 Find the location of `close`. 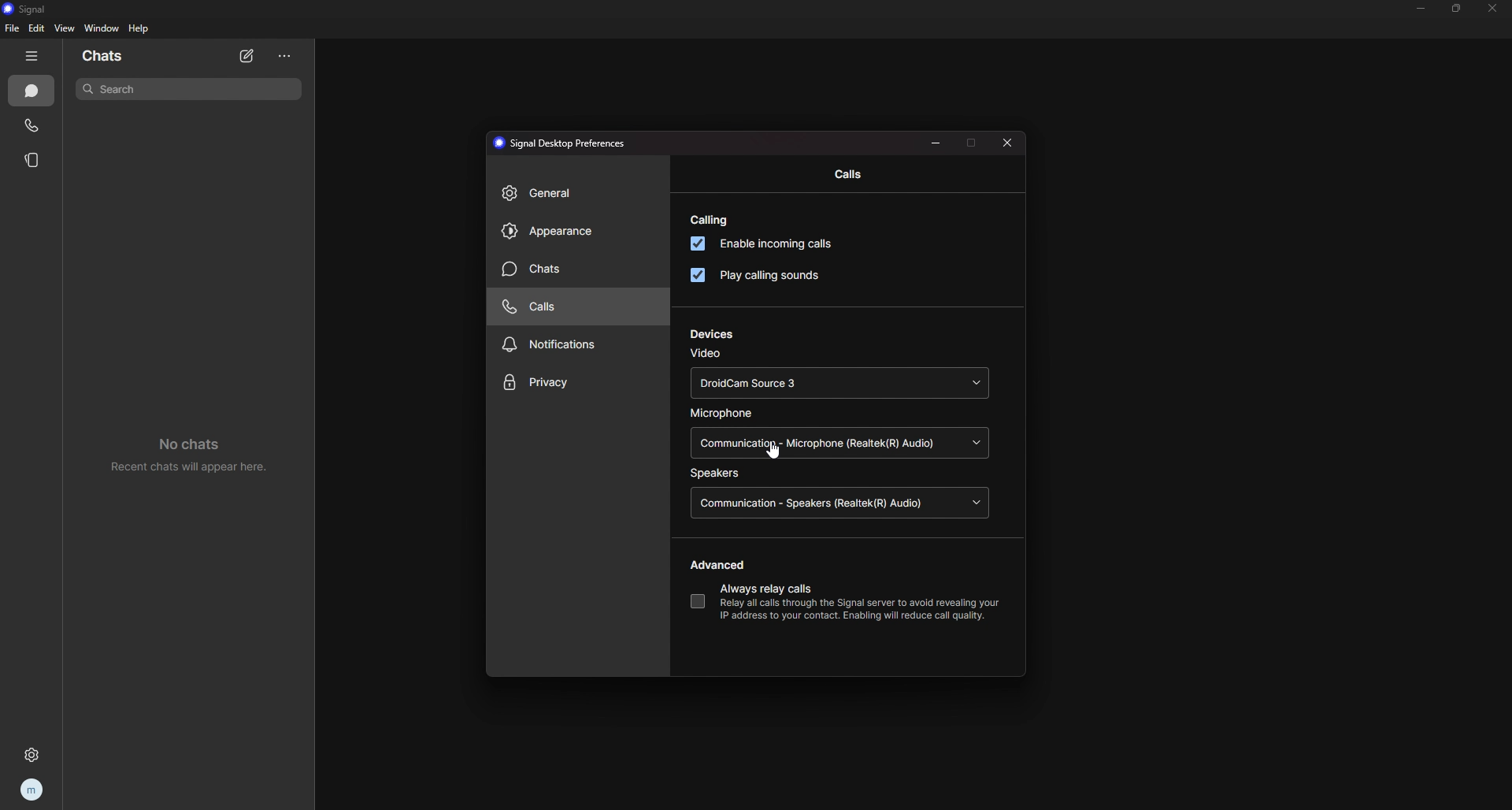

close is located at coordinates (1495, 9).